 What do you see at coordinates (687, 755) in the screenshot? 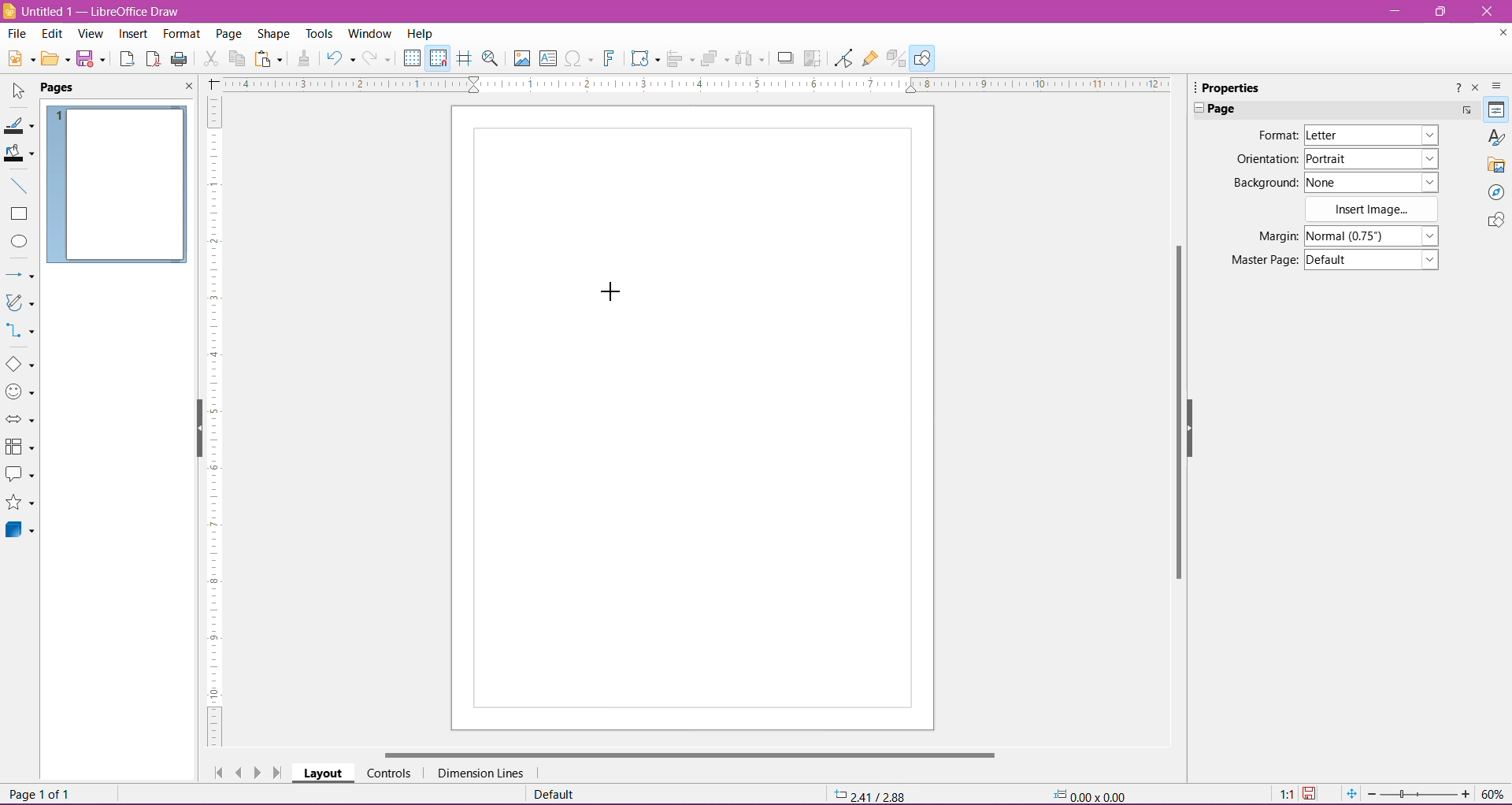
I see `Horizontal Scroll Bar` at bounding box center [687, 755].